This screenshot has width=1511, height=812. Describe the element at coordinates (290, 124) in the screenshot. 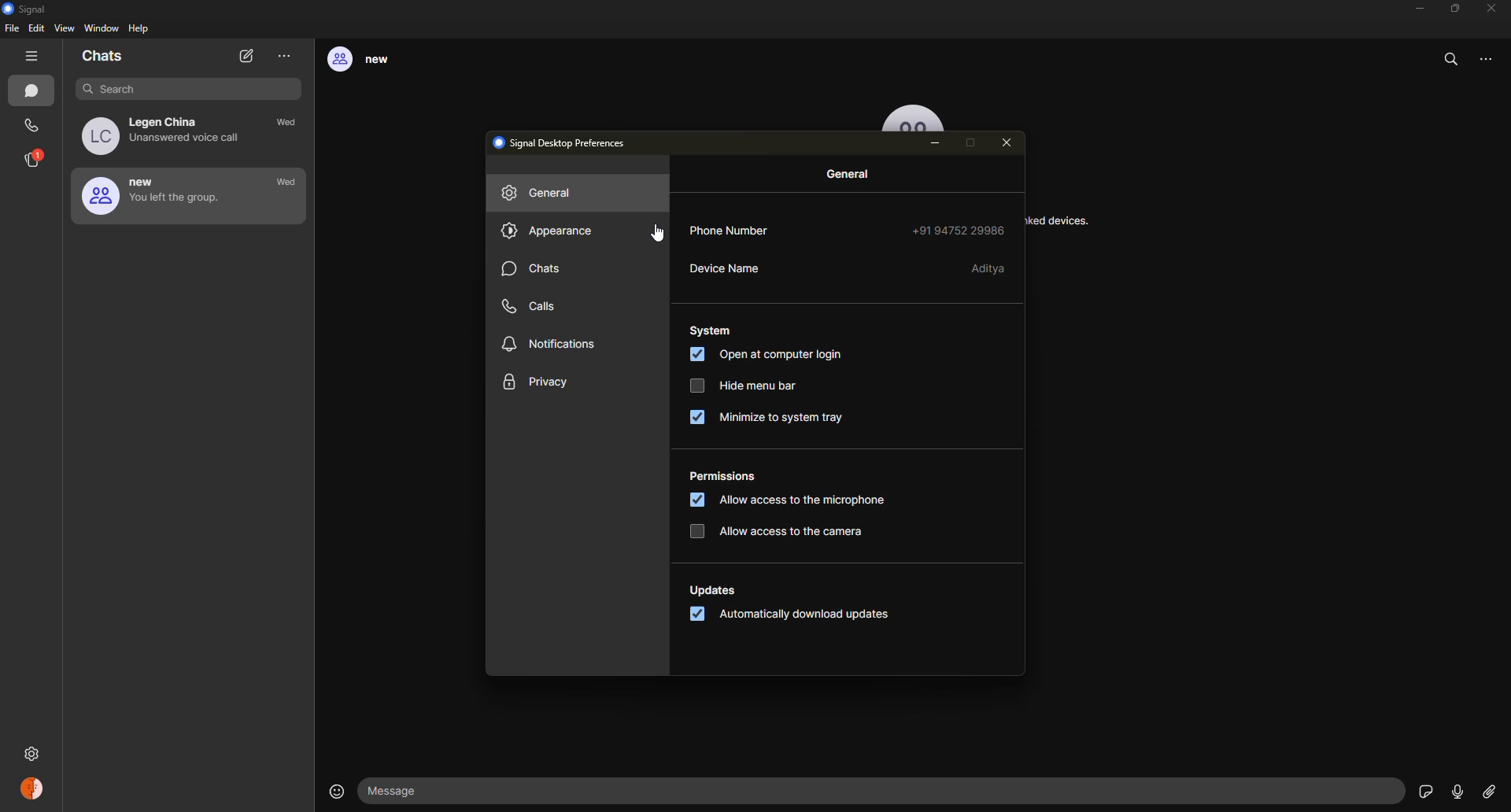

I see `wed` at that location.